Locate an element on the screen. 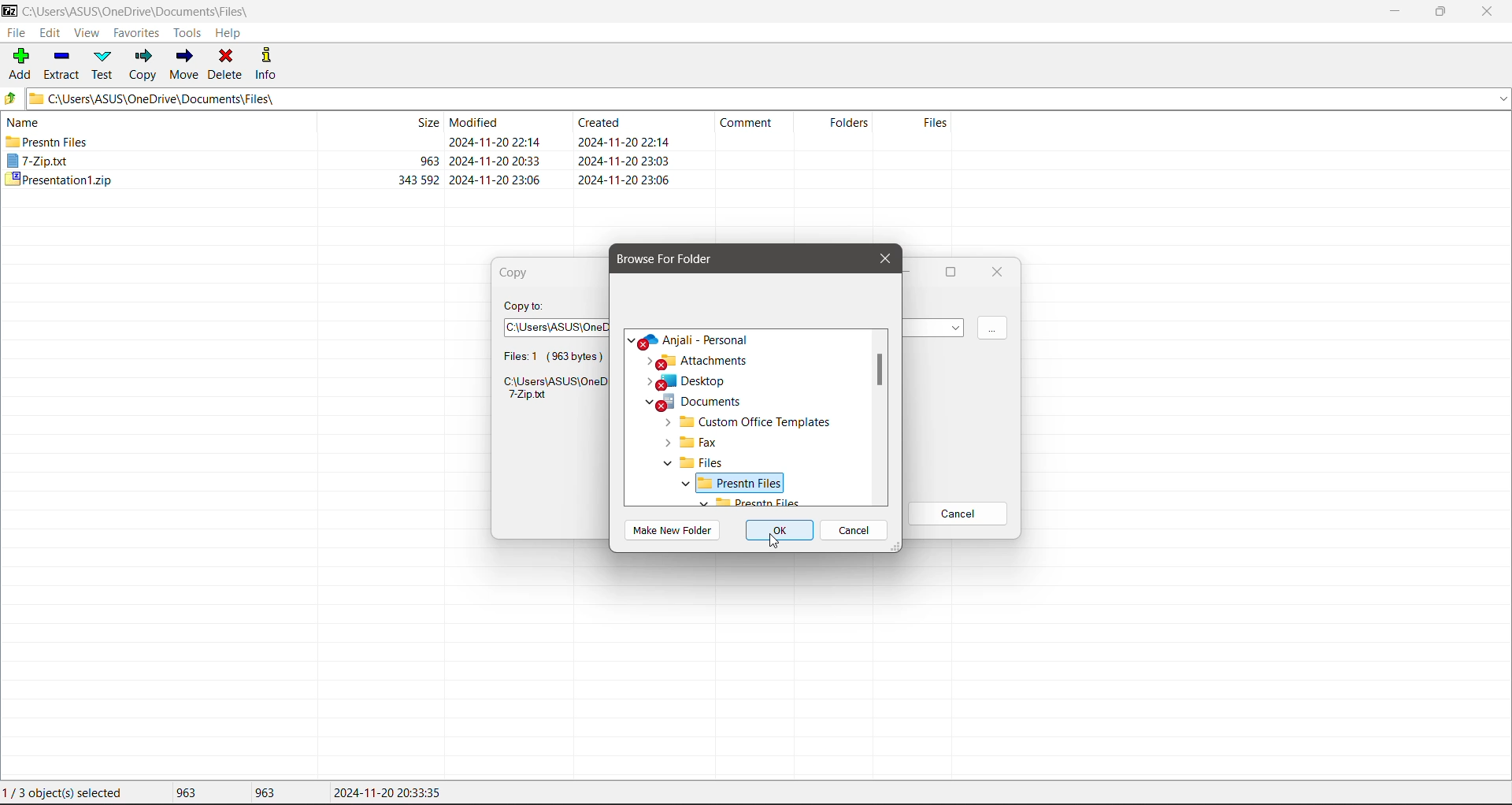  Attachments is located at coordinates (700, 361).